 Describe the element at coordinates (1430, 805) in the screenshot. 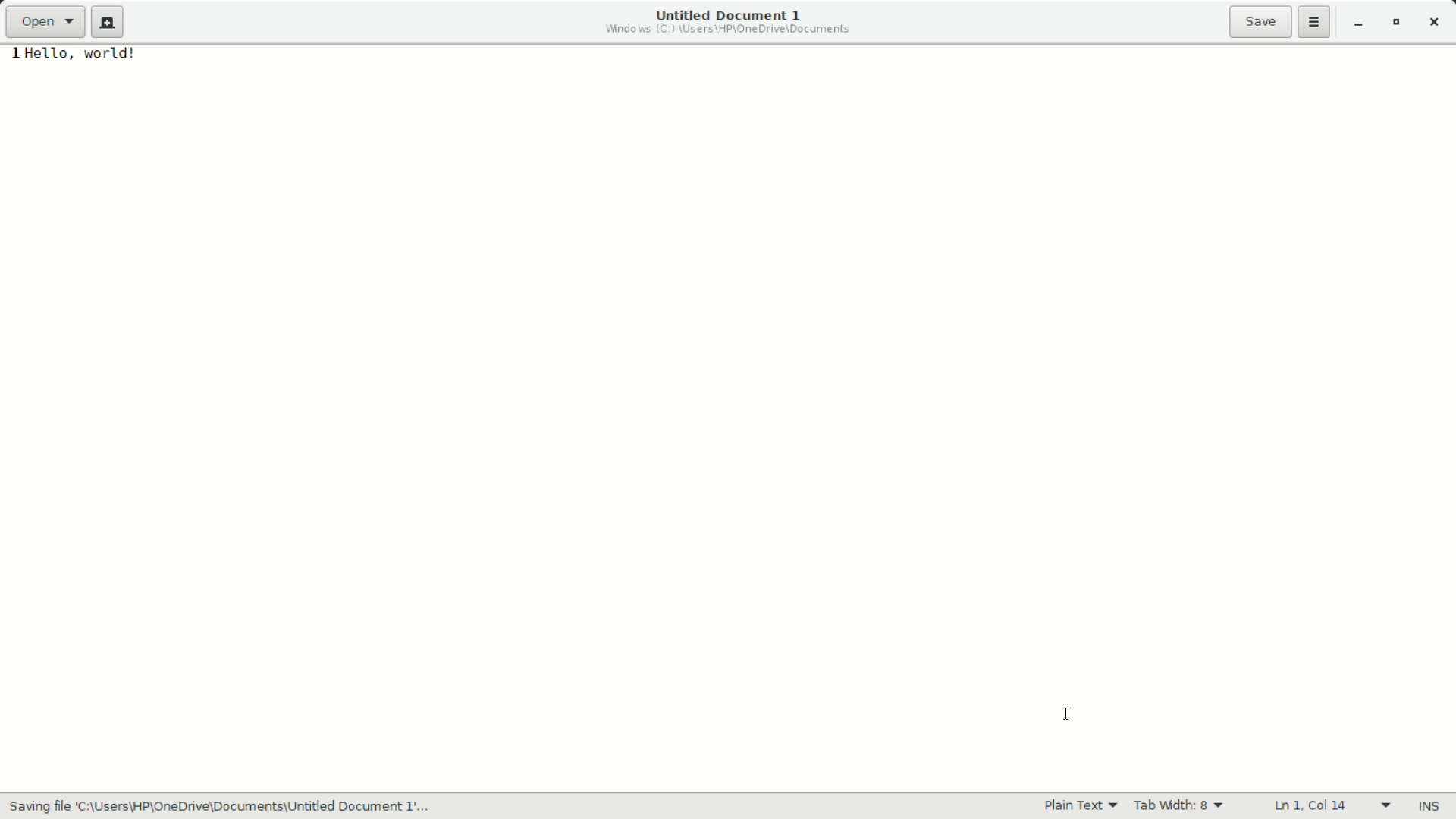

I see `INS` at that location.